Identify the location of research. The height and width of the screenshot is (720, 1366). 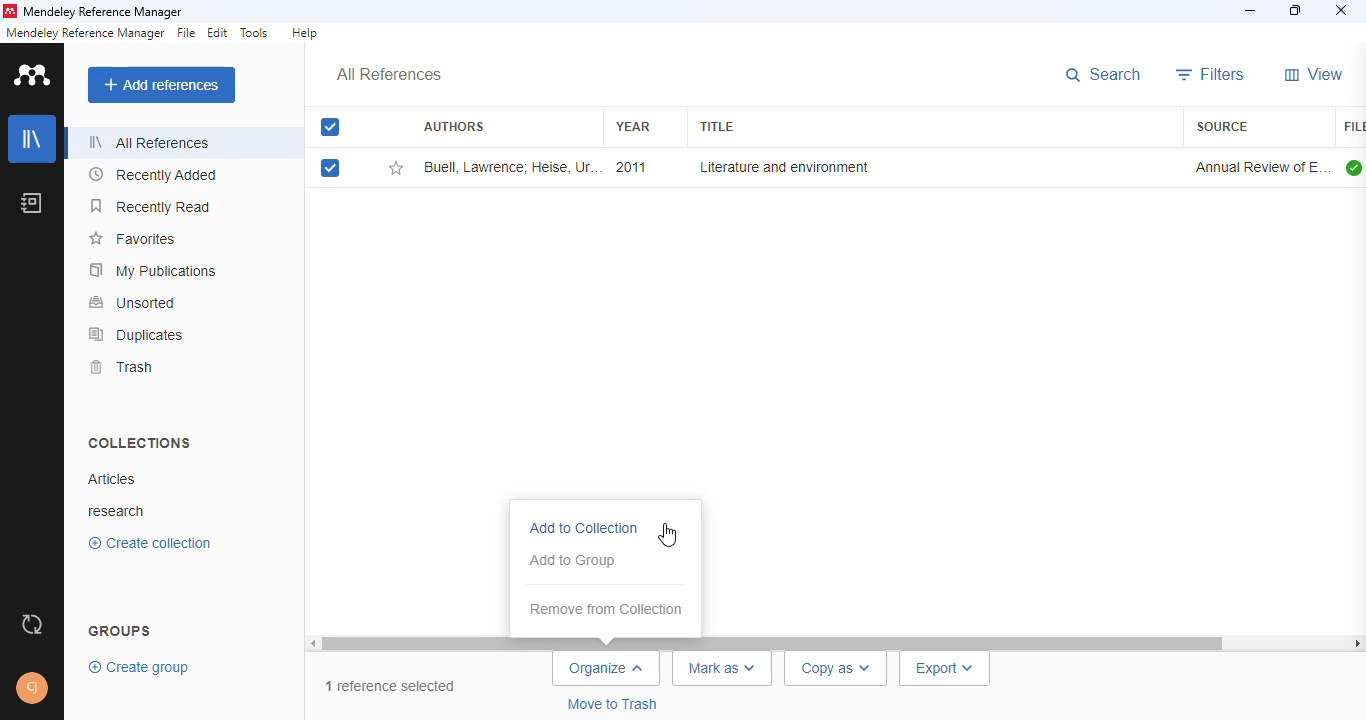
(121, 510).